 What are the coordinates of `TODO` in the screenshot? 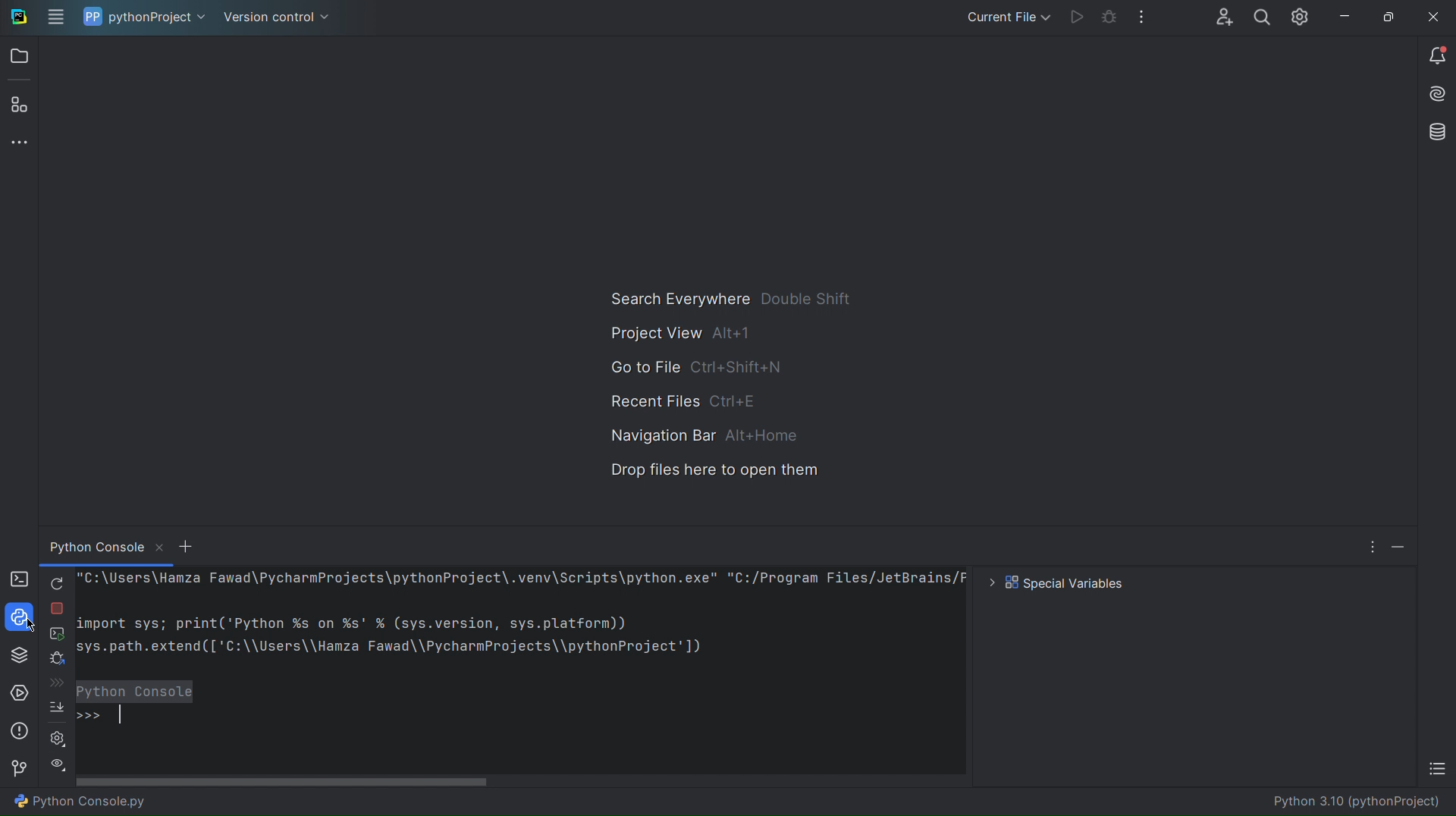 It's located at (1435, 767).